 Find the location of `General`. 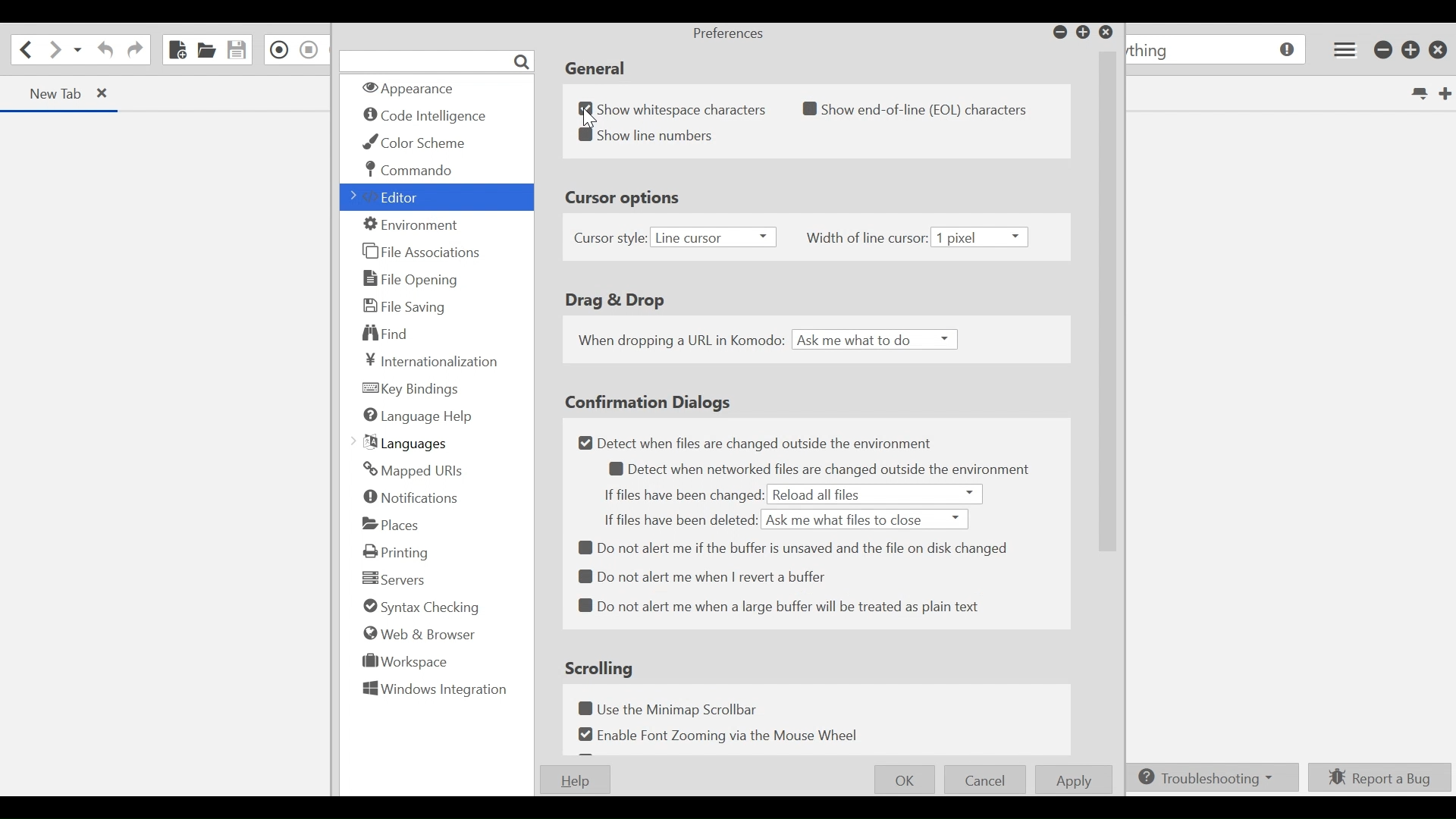

General is located at coordinates (594, 69).